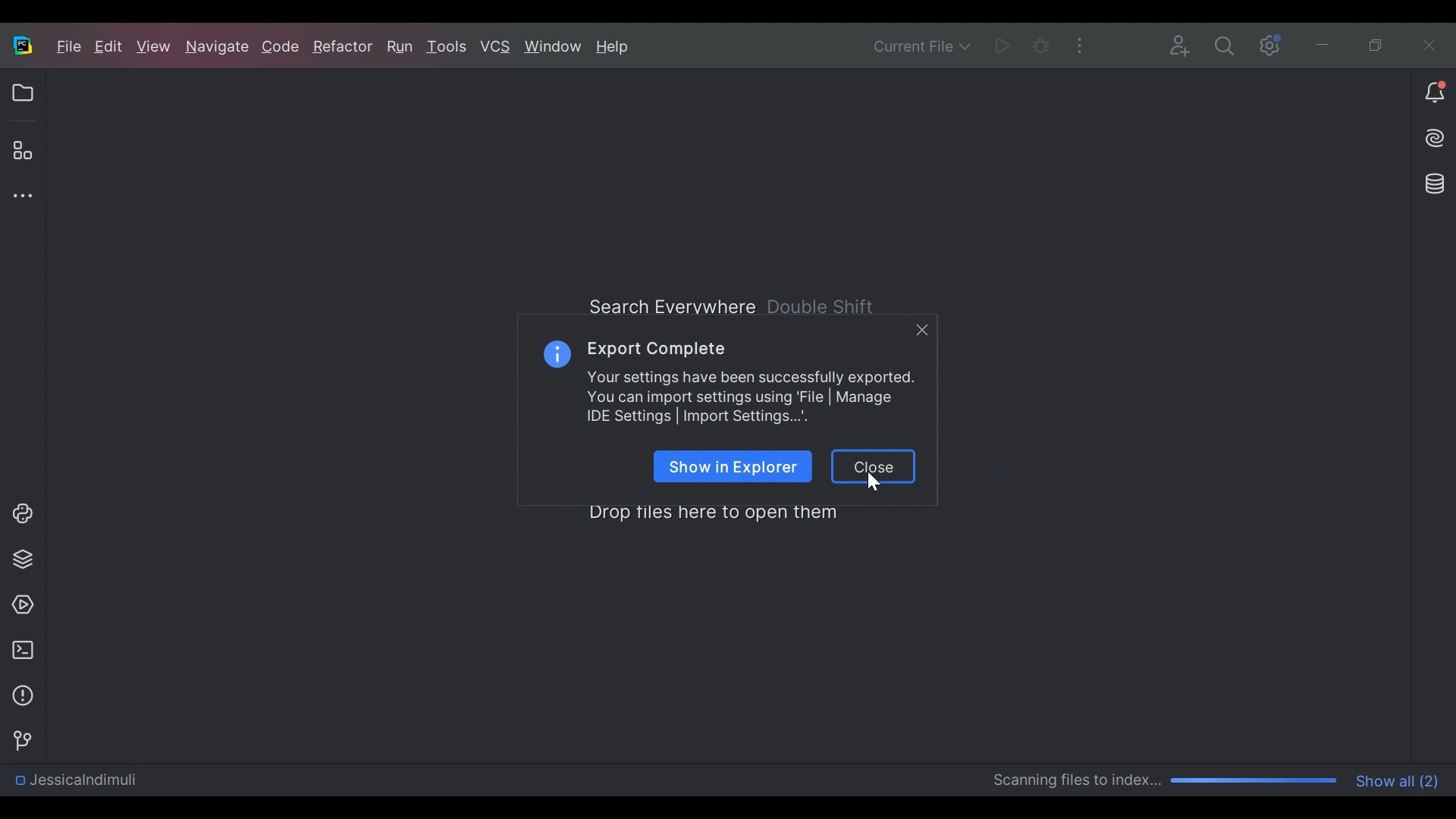 This screenshot has width=1456, height=819. Describe the element at coordinates (1436, 137) in the screenshot. I see `AI Assistant` at that location.